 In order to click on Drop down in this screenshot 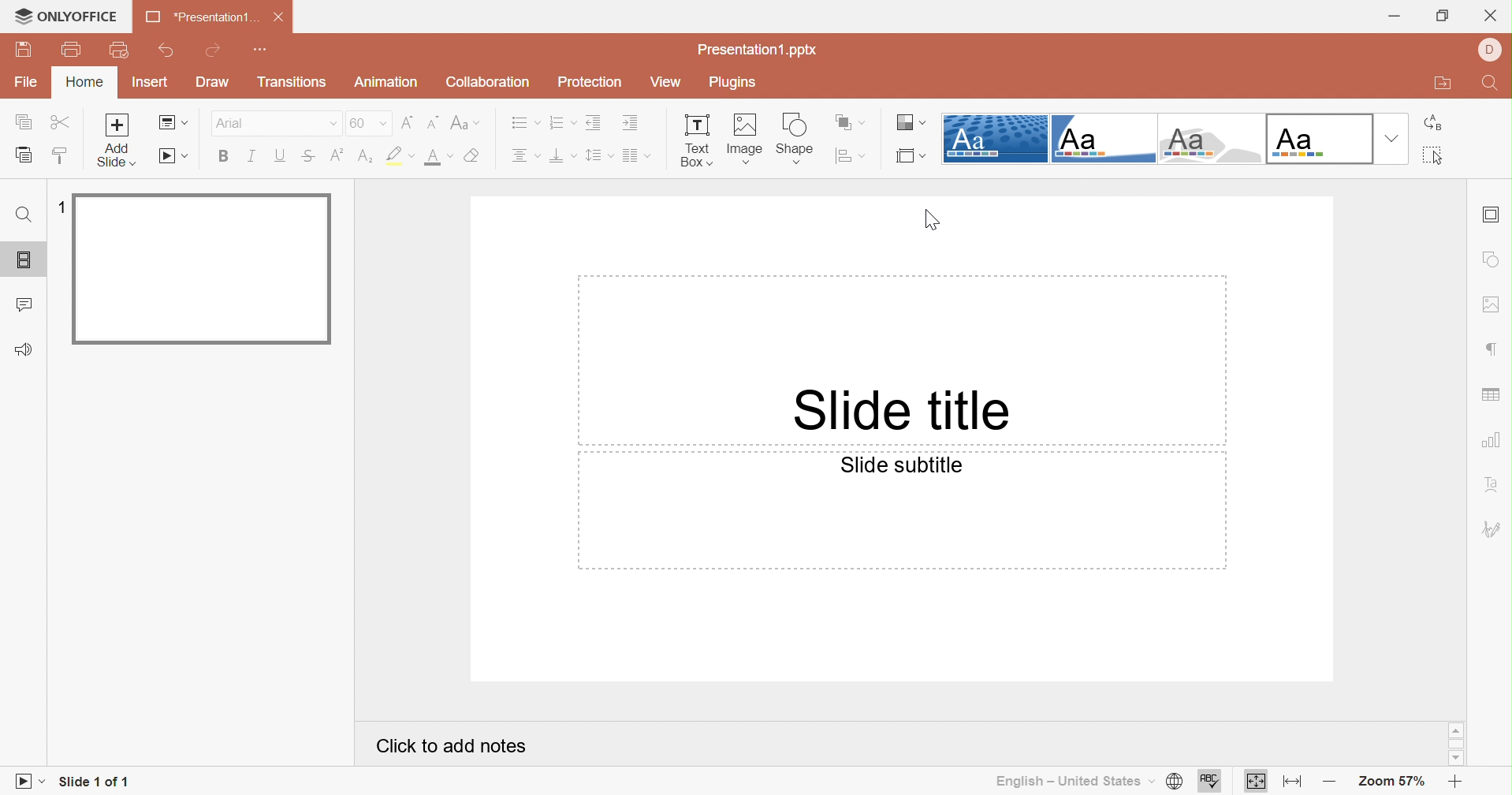, I will do `click(1392, 139)`.